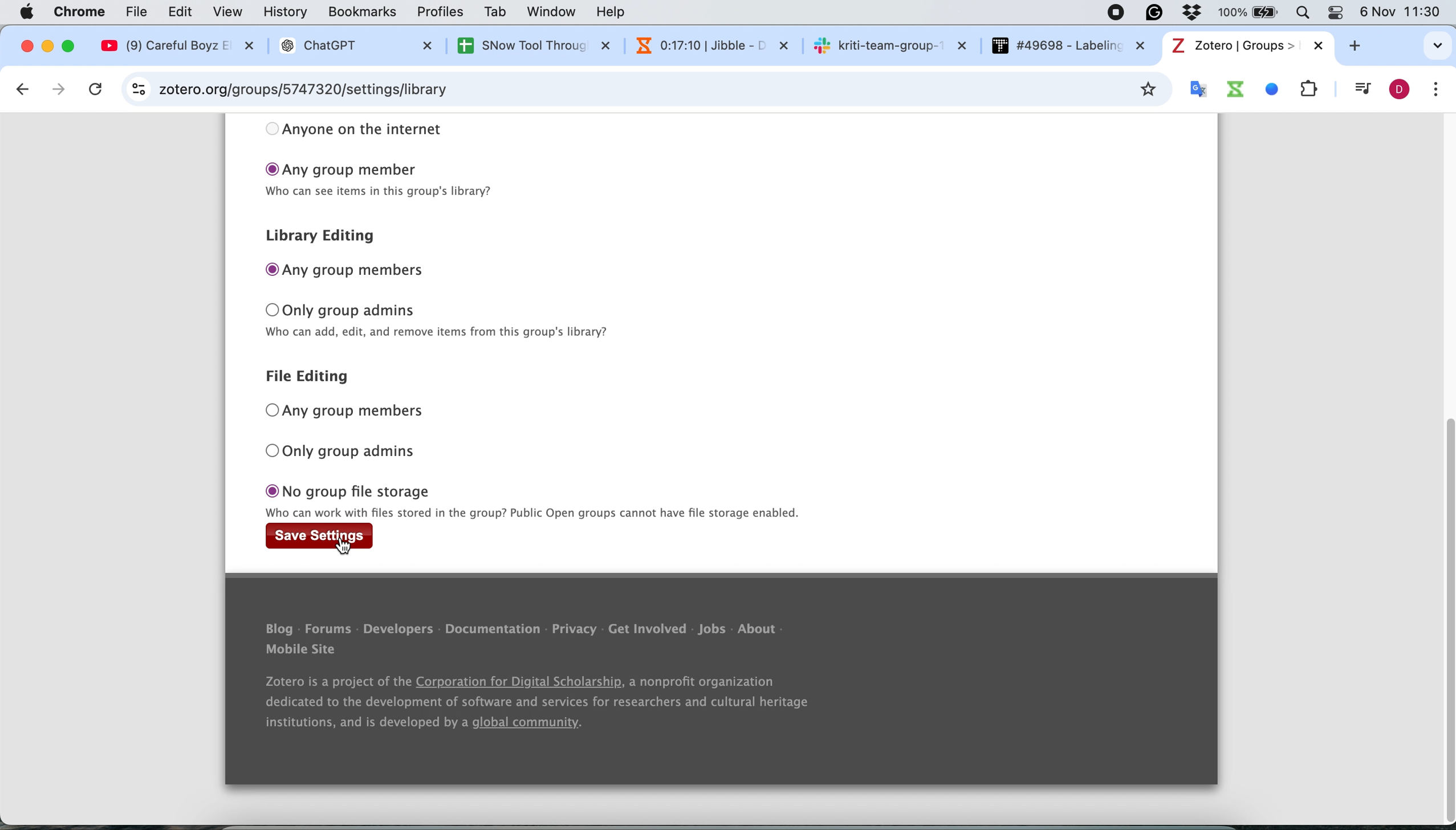 The width and height of the screenshot is (1456, 830). I want to click on bookmark, so click(1146, 89).